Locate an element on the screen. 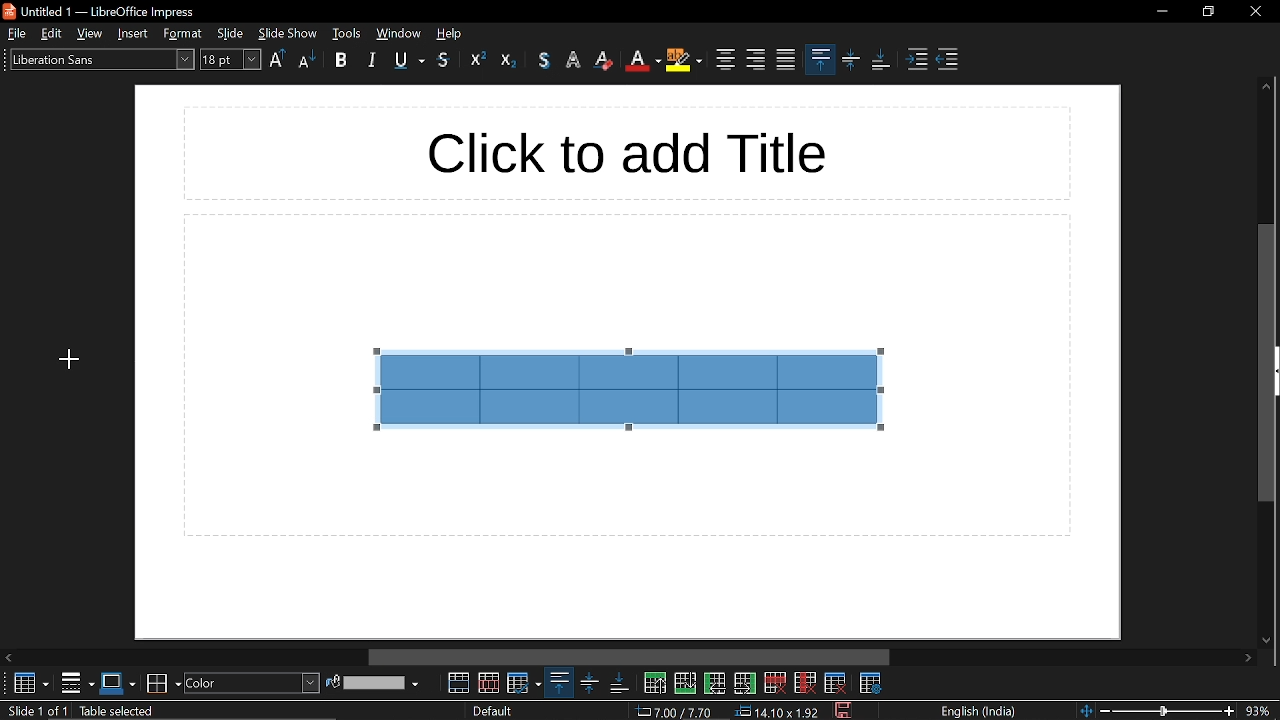 This screenshot has width=1280, height=720. decrease indent is located at coordinates (949, 58).